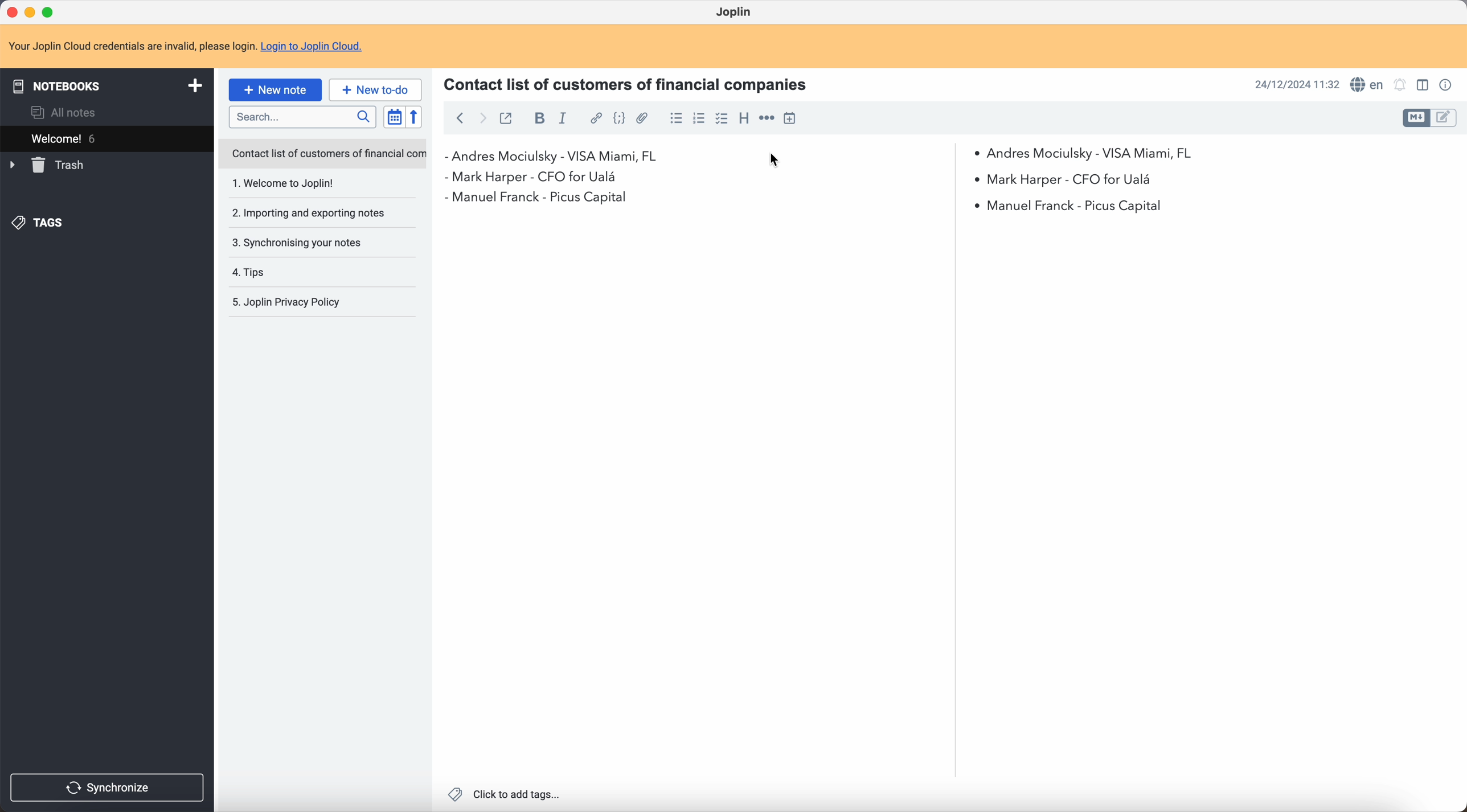 This screenshot has width=1467, height=812. Describe the element at coordinates (503, 794) in the screenshot. I see `click to add tags` at that location.